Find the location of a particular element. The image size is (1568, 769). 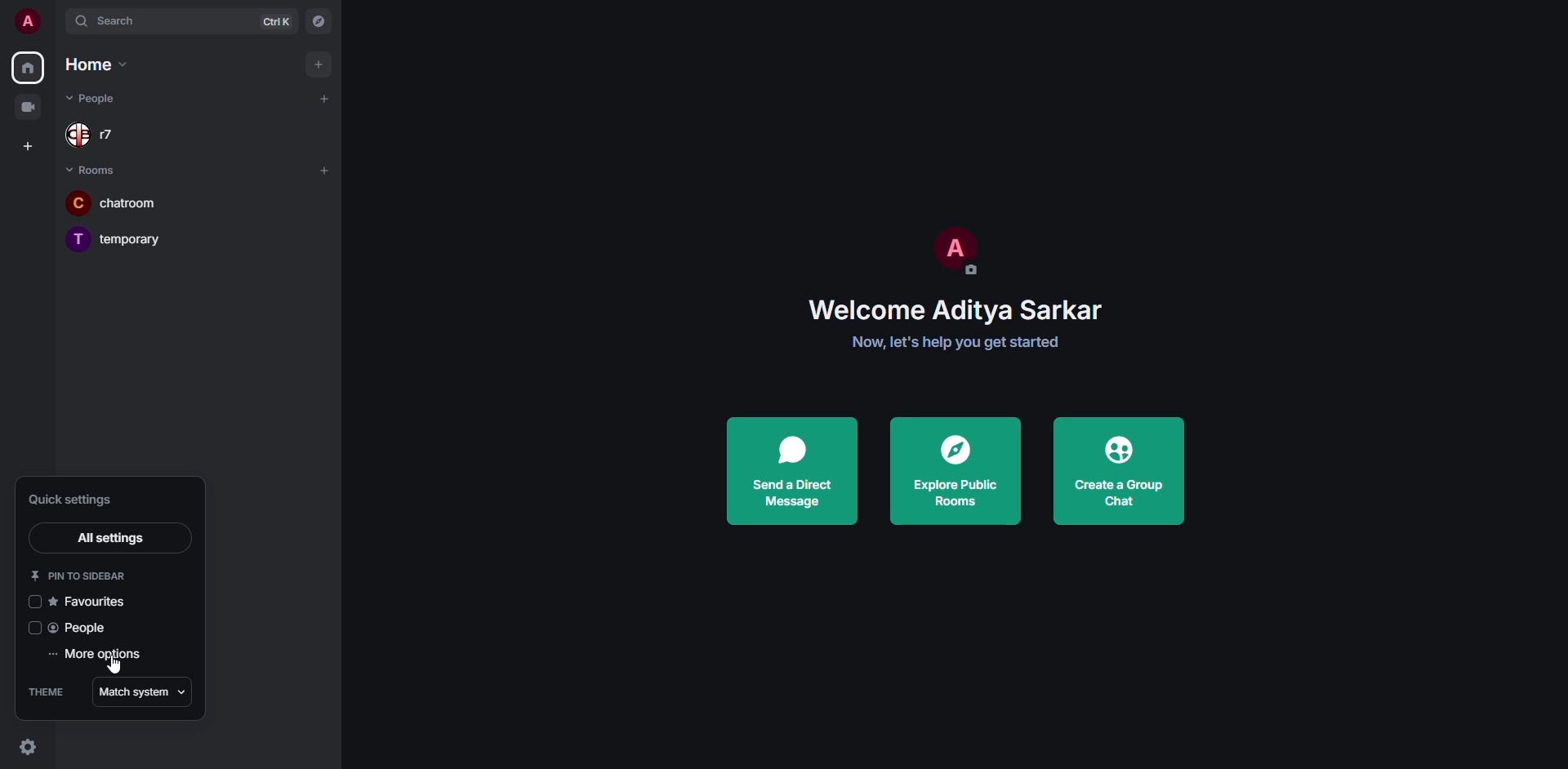

get started is located at coordinates (951, 342).